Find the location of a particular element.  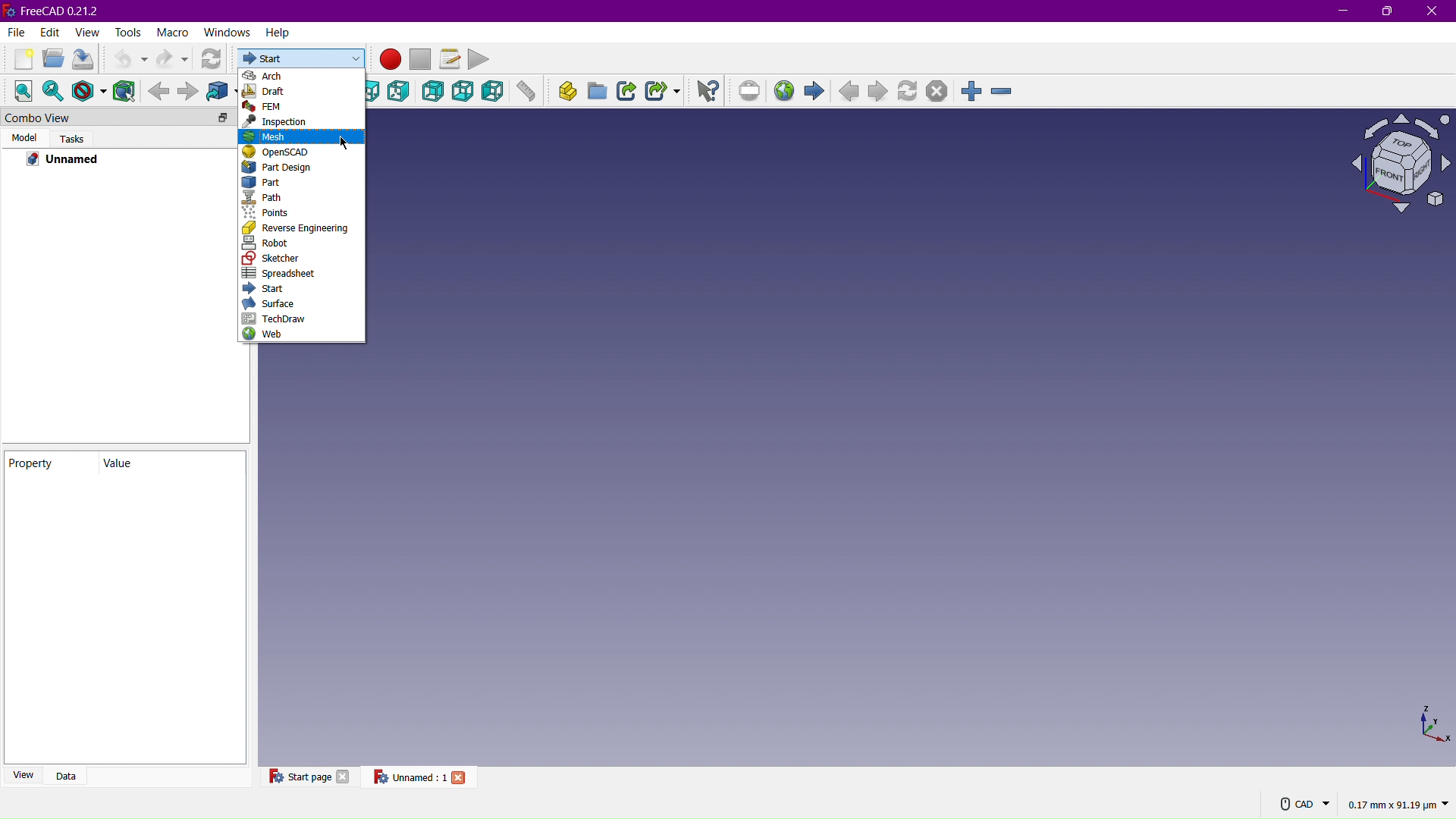

Minimize is located at coordinates (1341, 11).